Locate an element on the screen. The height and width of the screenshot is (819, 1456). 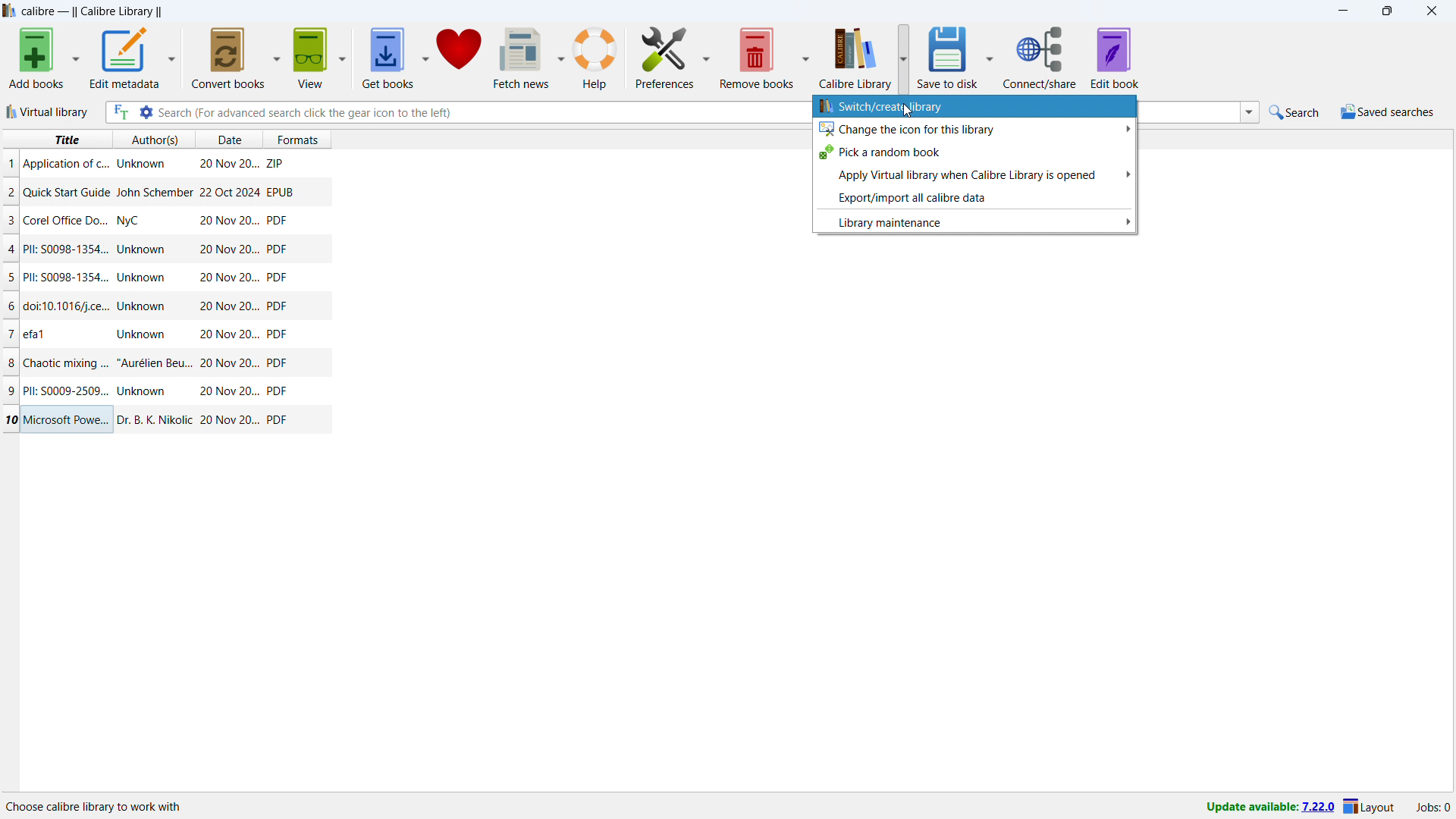
close is located at coordinates (1432, 11).